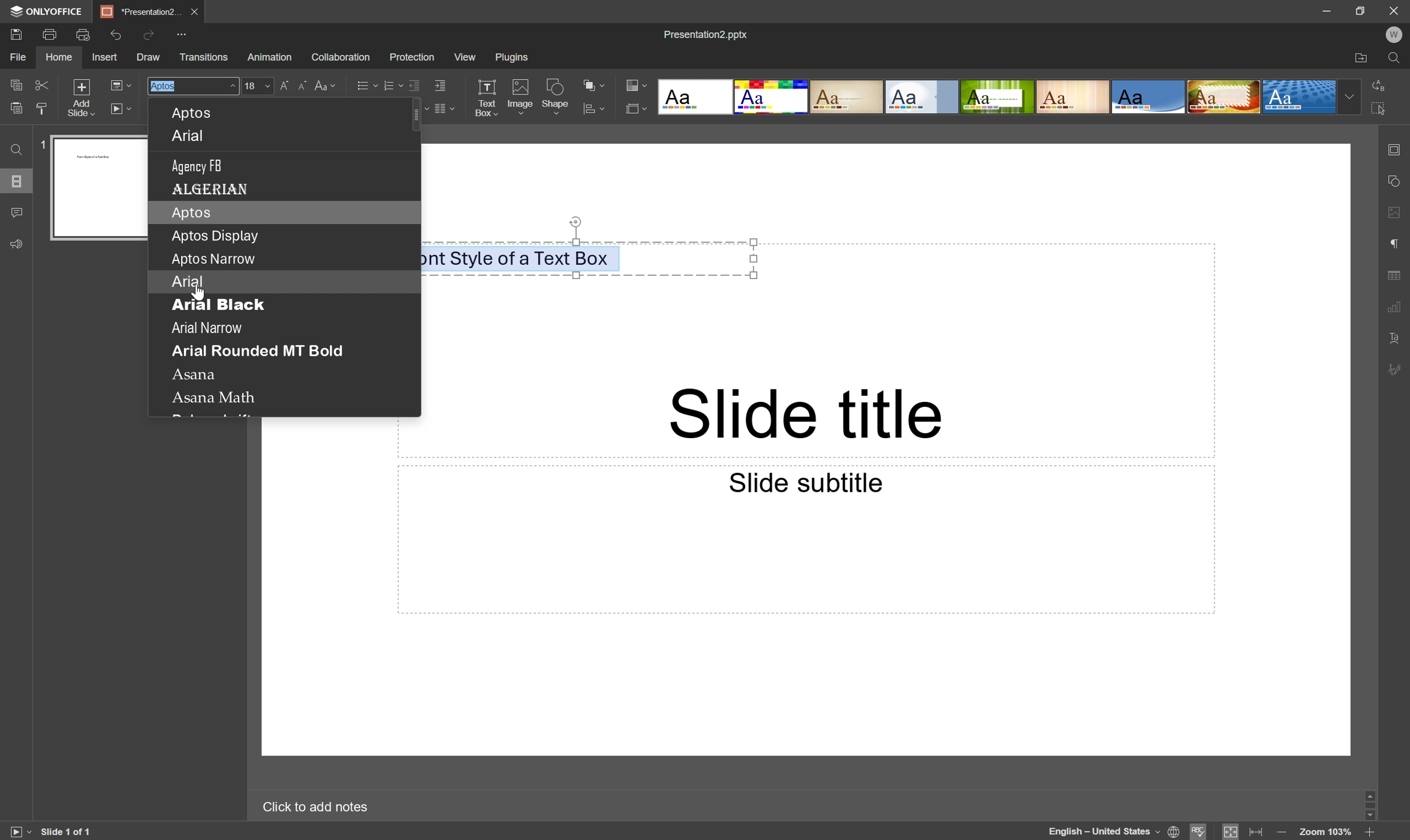 The image size is (1410, 840). What do you see at coordinates (1097, 832) in the screenshot?
I see `English - United States` at bounding box center [1097, 832].